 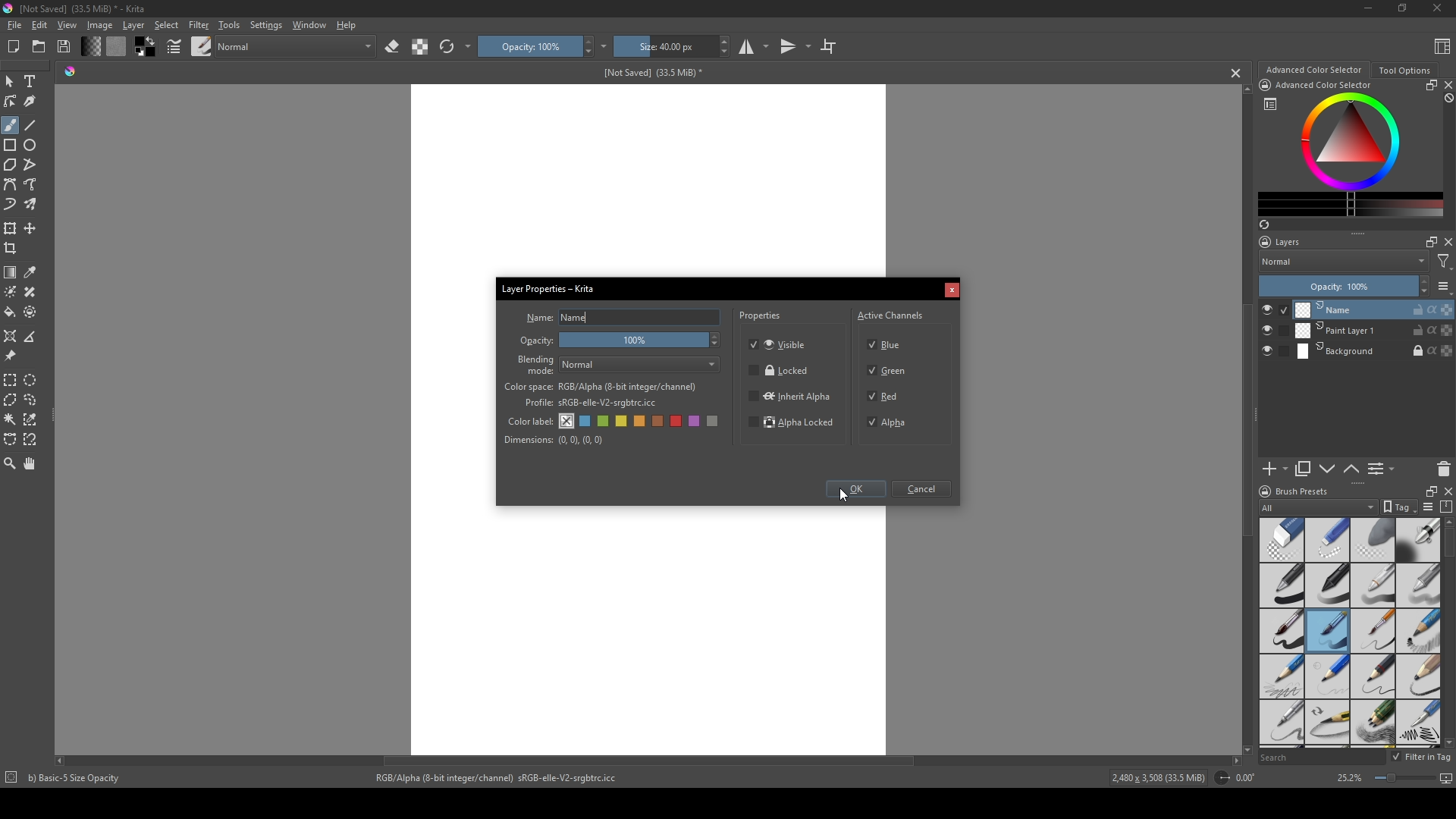 I want to click on thick brush, so click(x=1282, y=632).